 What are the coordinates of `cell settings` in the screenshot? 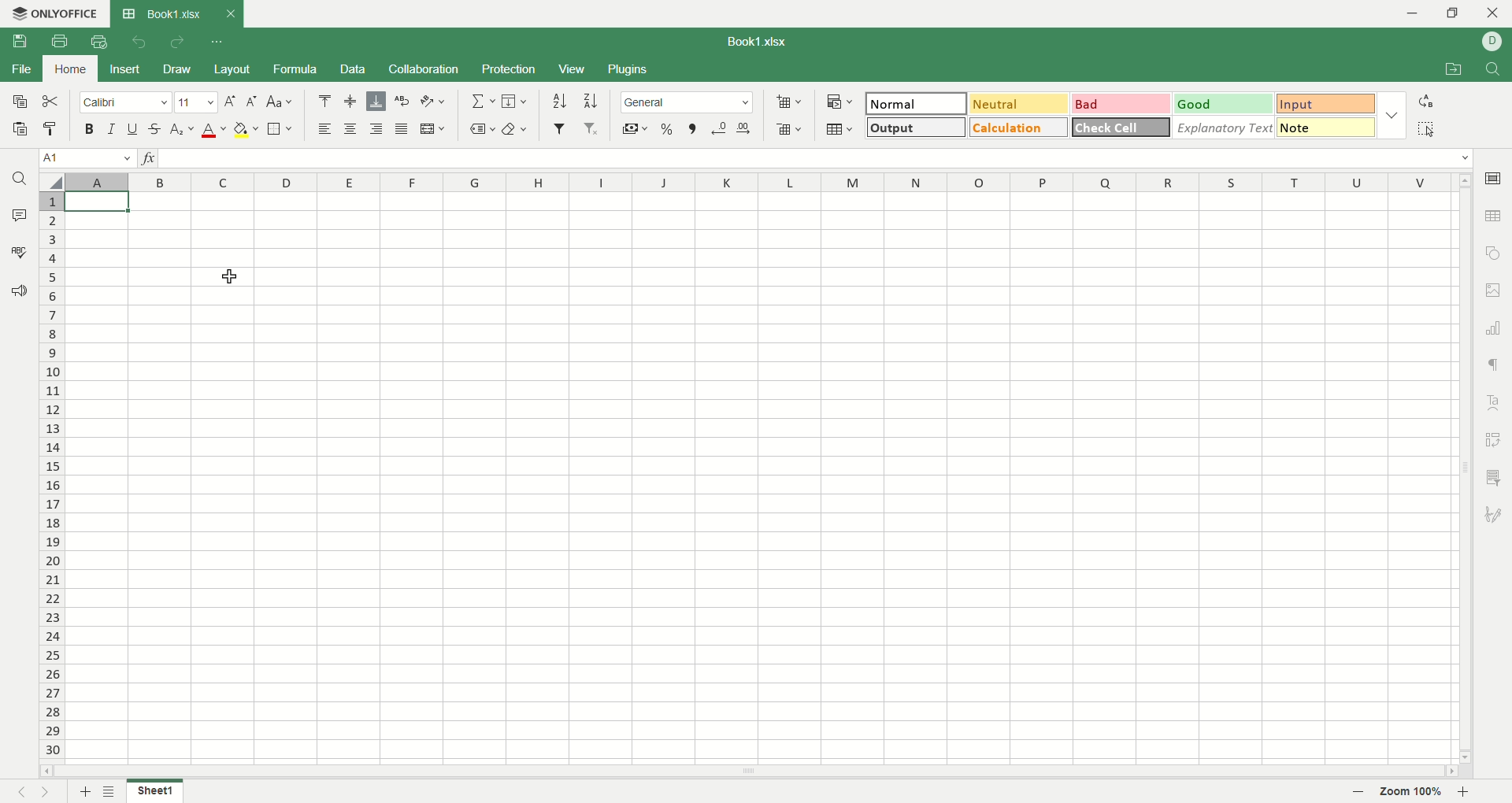 It's located at (1492, 176).